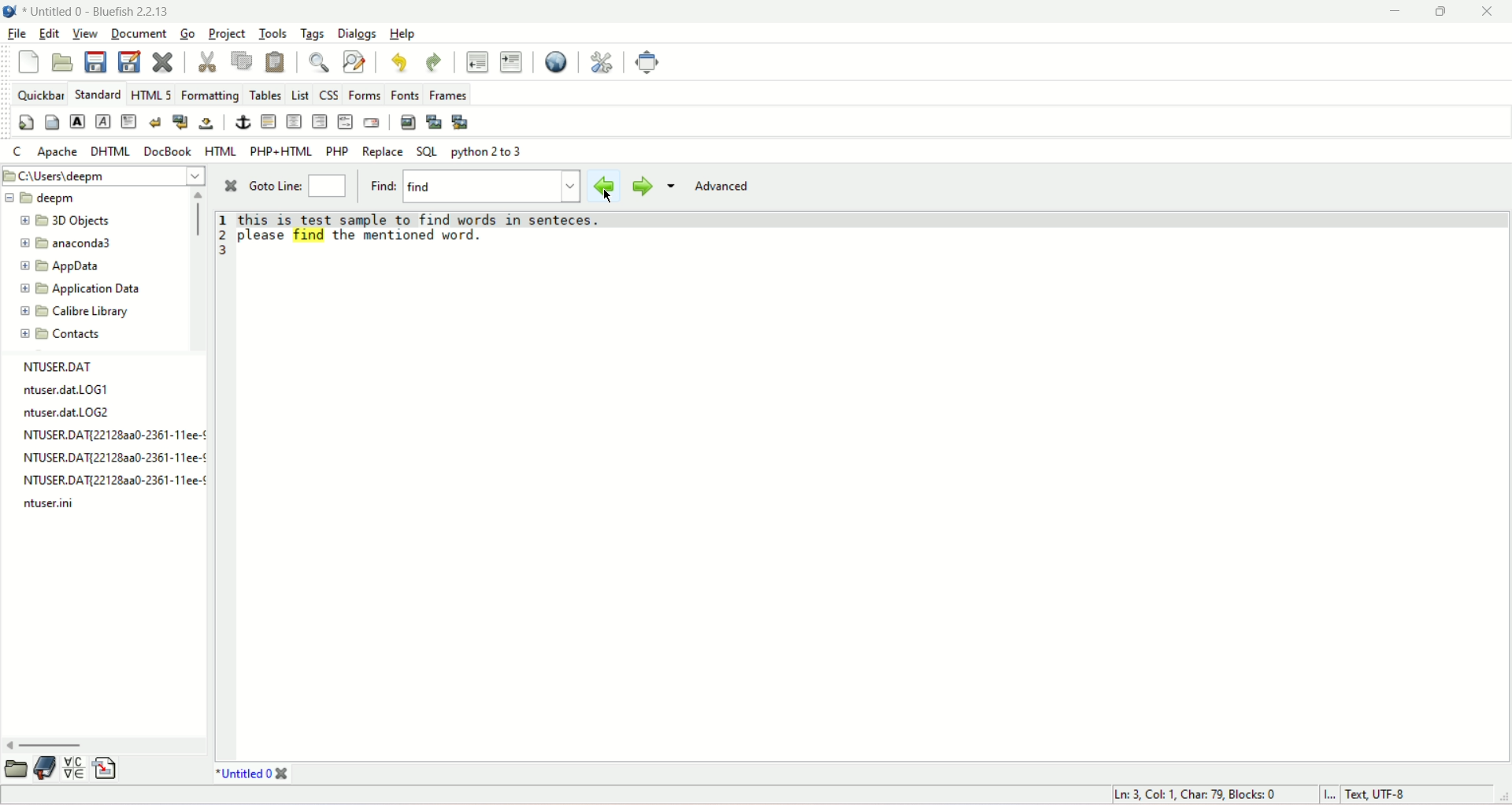 The height and width of the screenshot is (805, 1512). I want to click on advance find and replace, so click(354, 61).